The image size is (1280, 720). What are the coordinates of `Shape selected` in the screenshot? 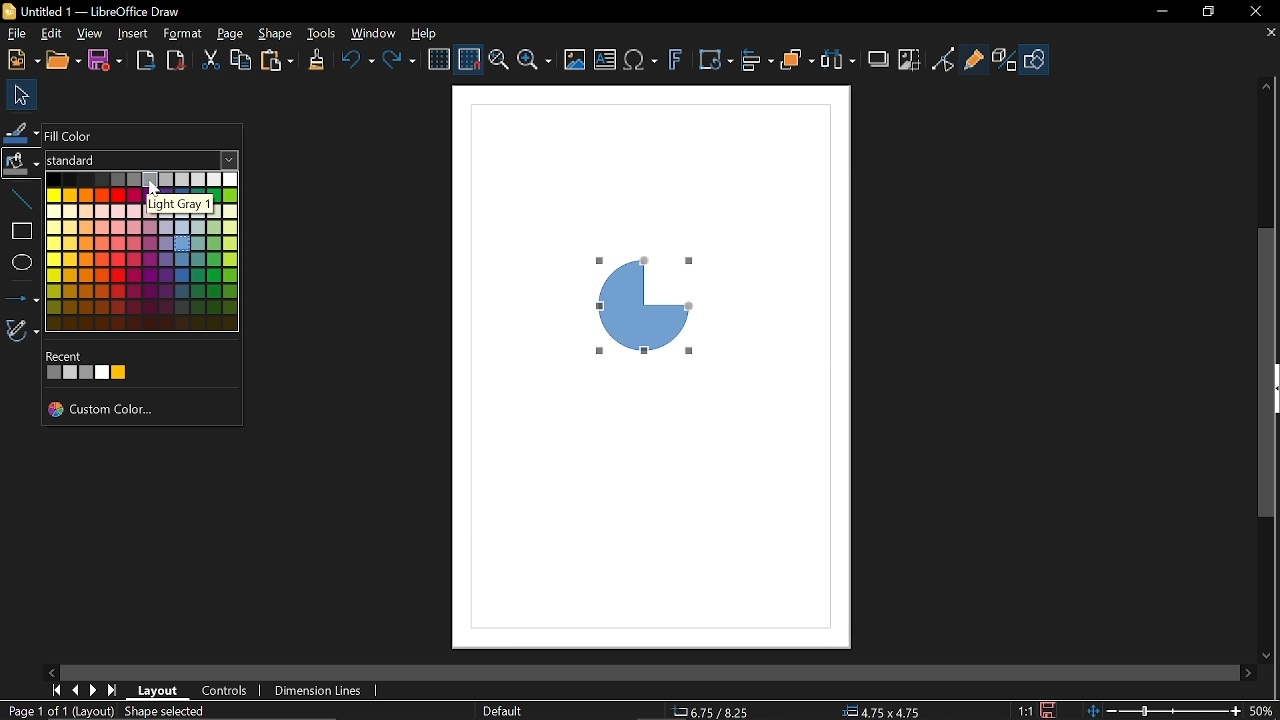 It's located at (173, 712).